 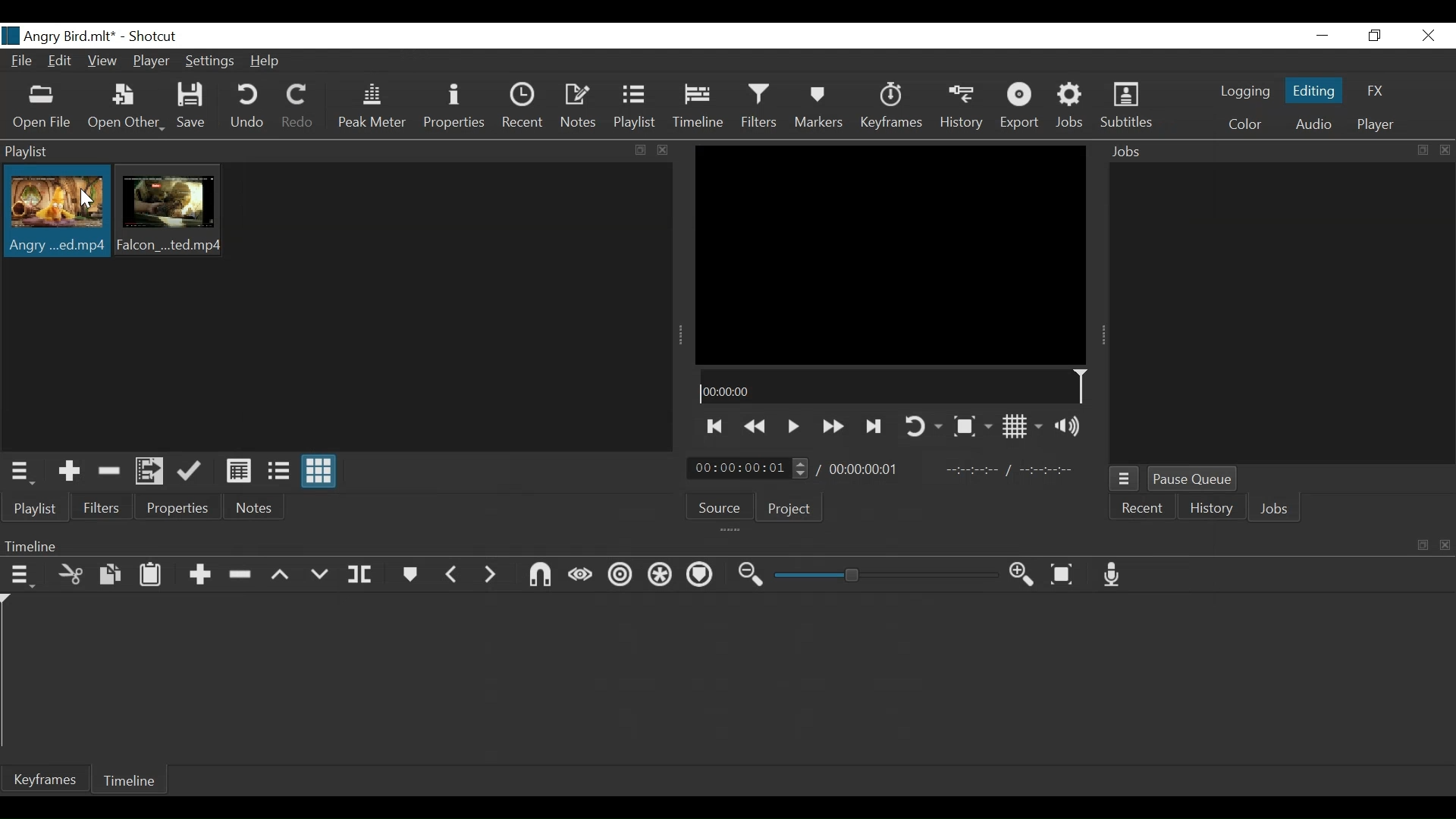 I want to click on Jobs, so click(x=1278, y=152).